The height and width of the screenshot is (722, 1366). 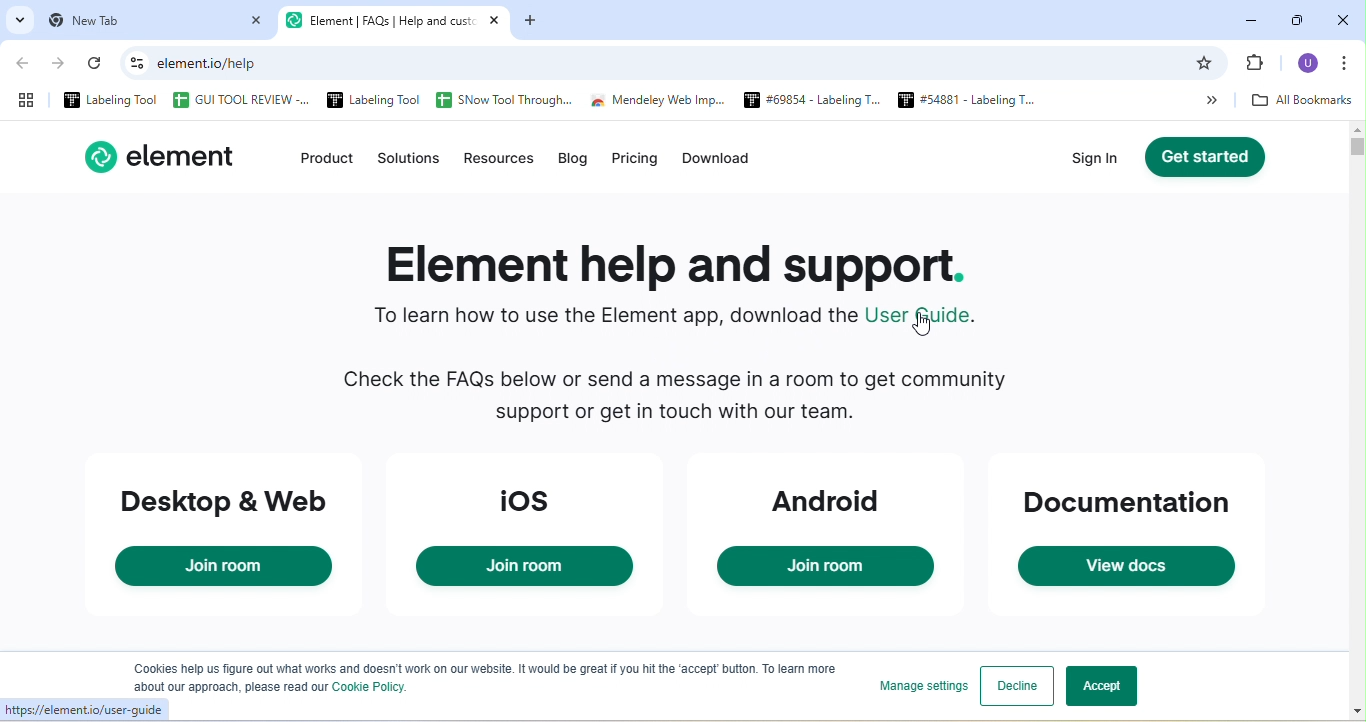 What do you see at coordinates (537, 500) in the screenshot?
I see `ios` at bounding box center [537, 500].